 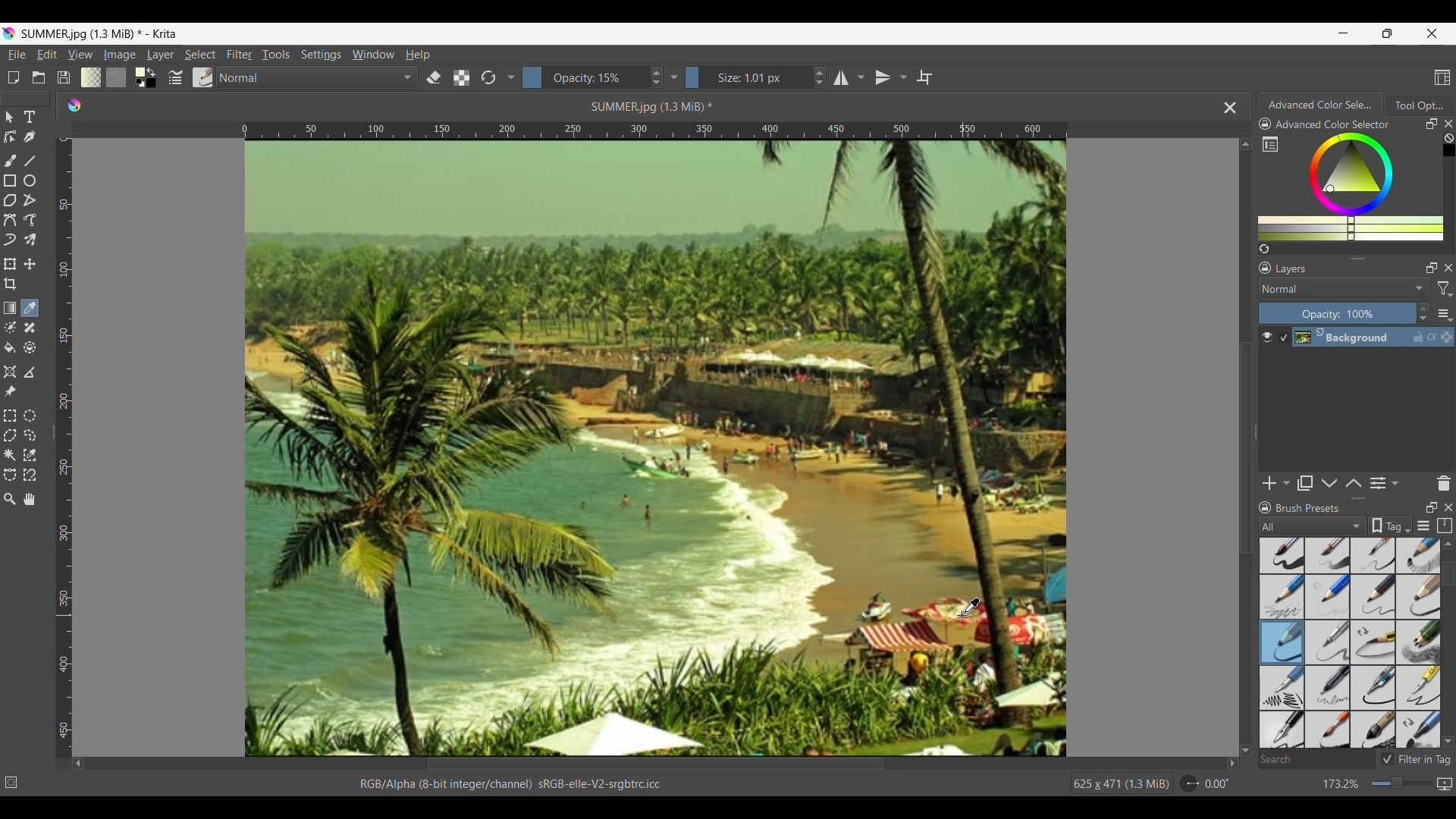 What do you see at coordinates (10, 201) in the screenshot?
I see `Polygon tool` at bounding box center [10, 201].